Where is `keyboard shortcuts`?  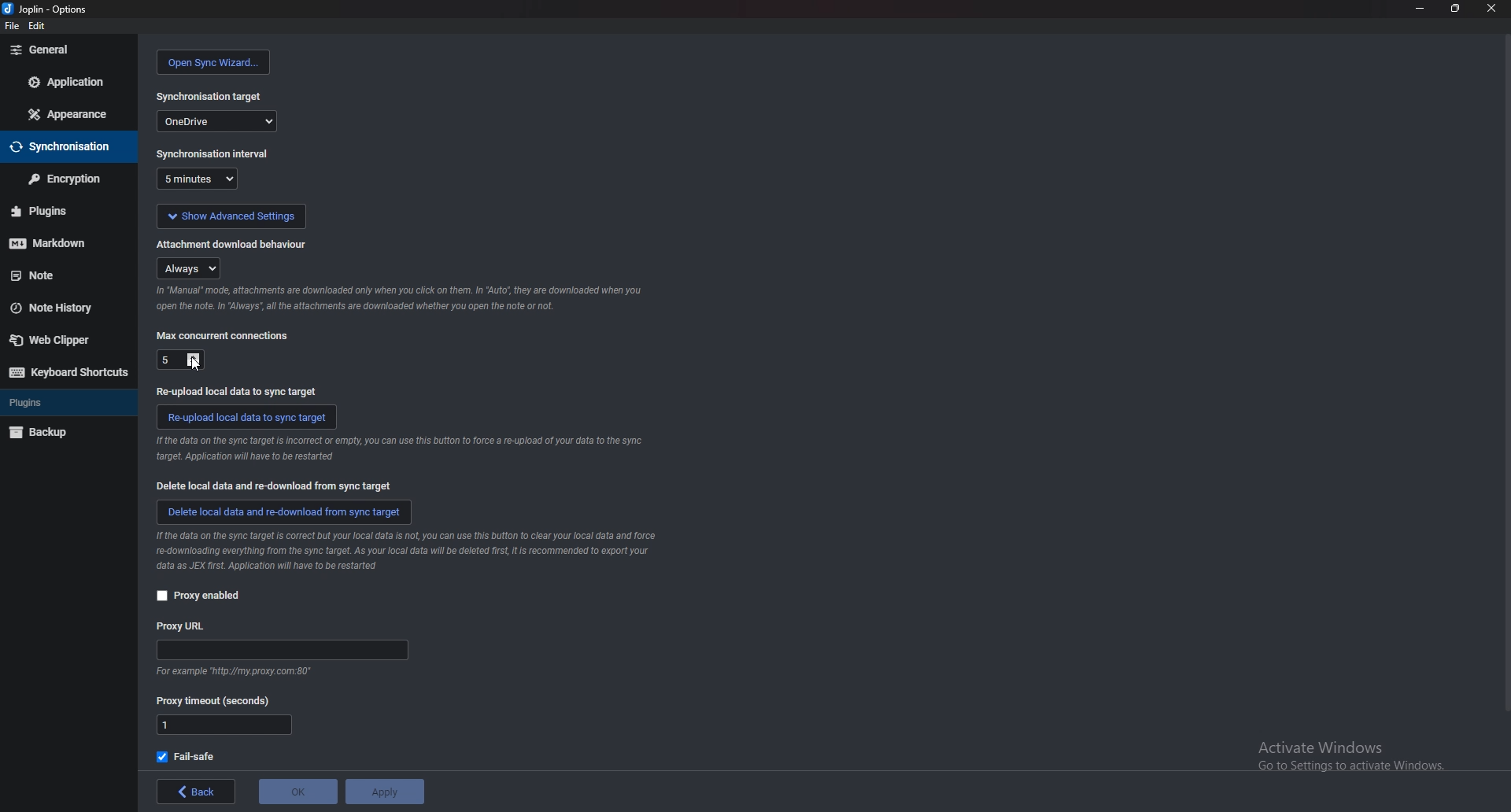 keyboard shortcuts is located at coordinates (67, 372).